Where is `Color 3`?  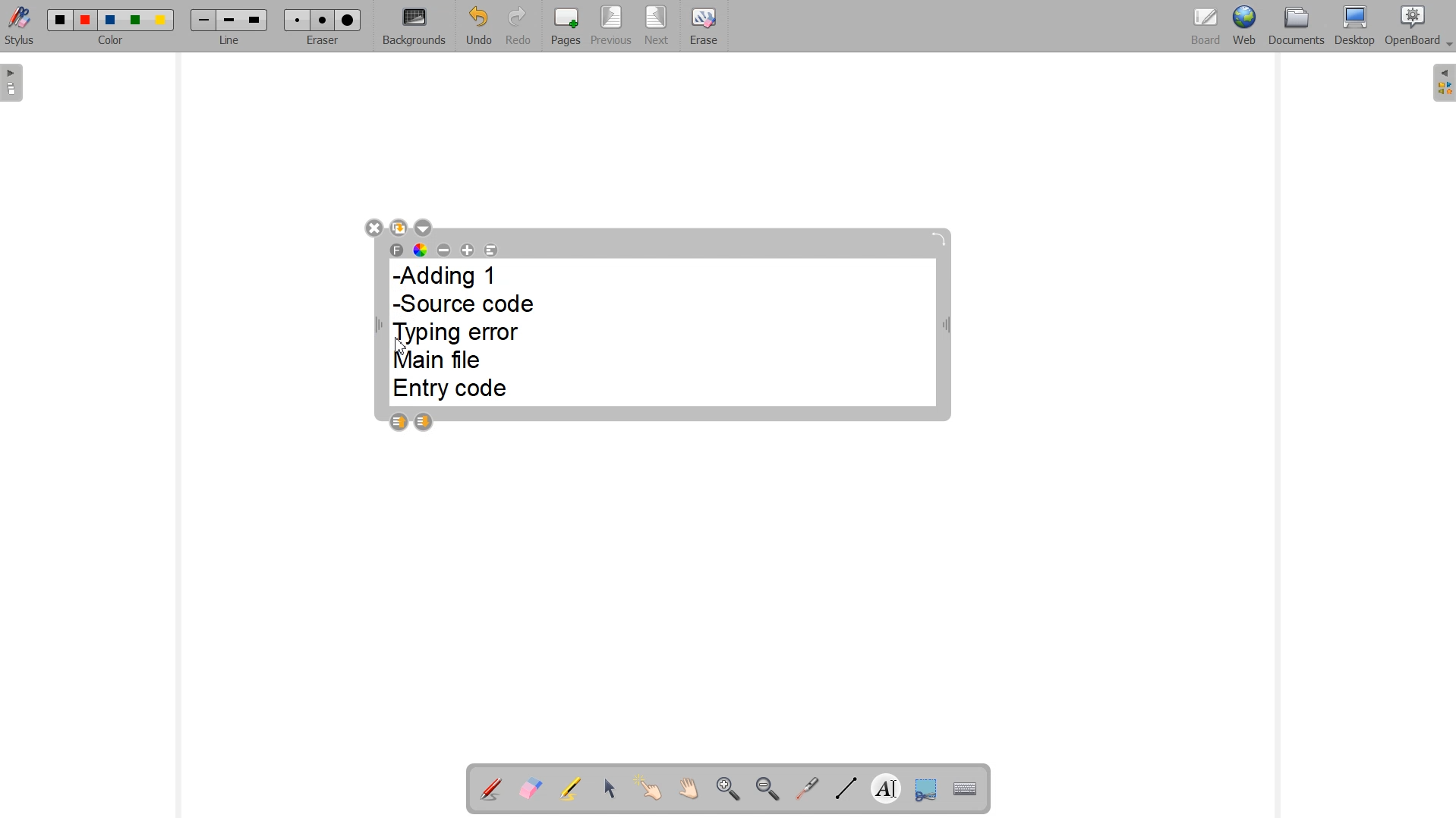 Color 3 is located at coordinates (110, 20).